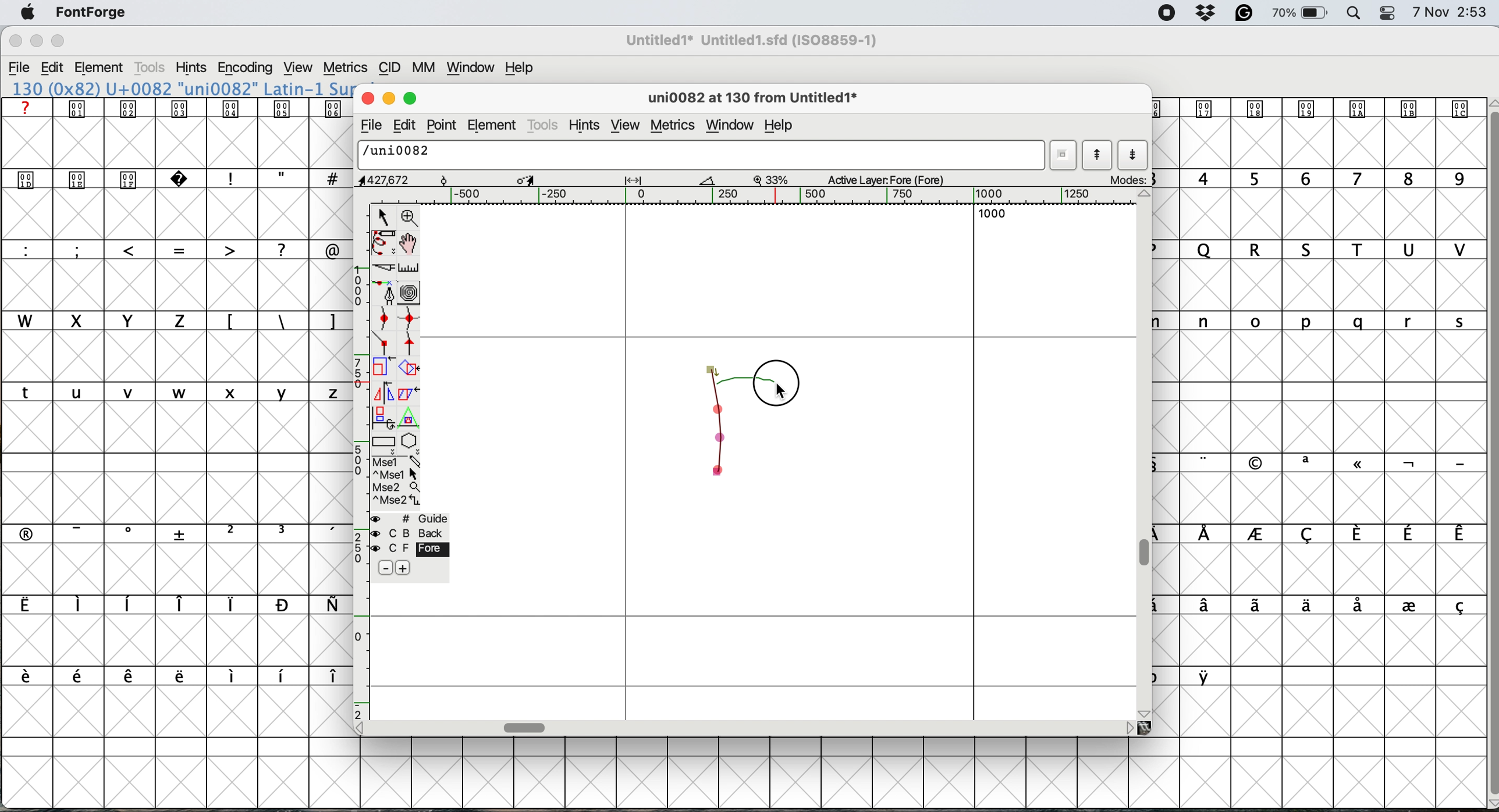 The image size is (1499, 812). What do you see at coordinates (544, 124) in the screenshot?
I see `tools` at bounding box center [544, 124].